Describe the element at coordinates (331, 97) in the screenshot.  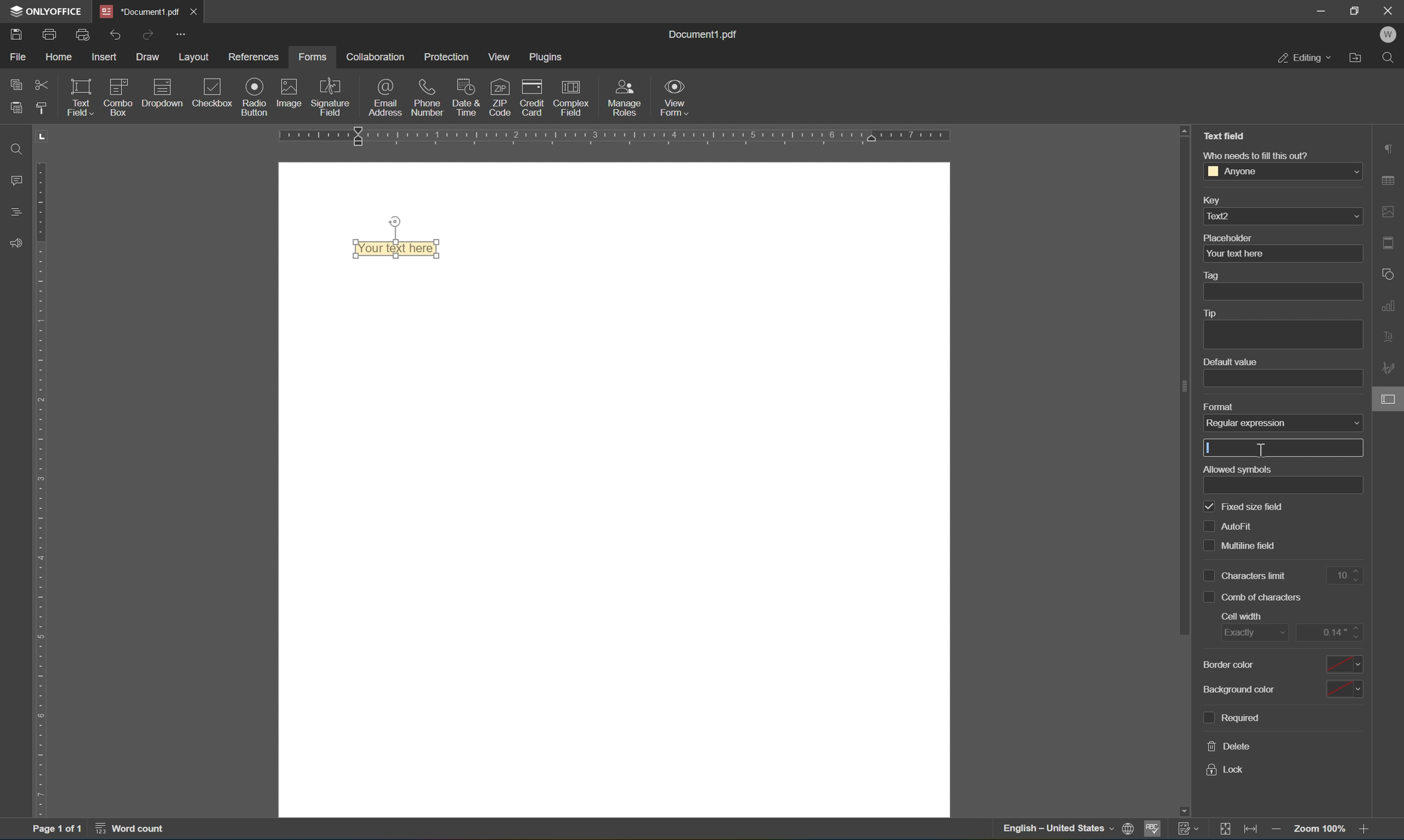
I see `signature field` at that location.